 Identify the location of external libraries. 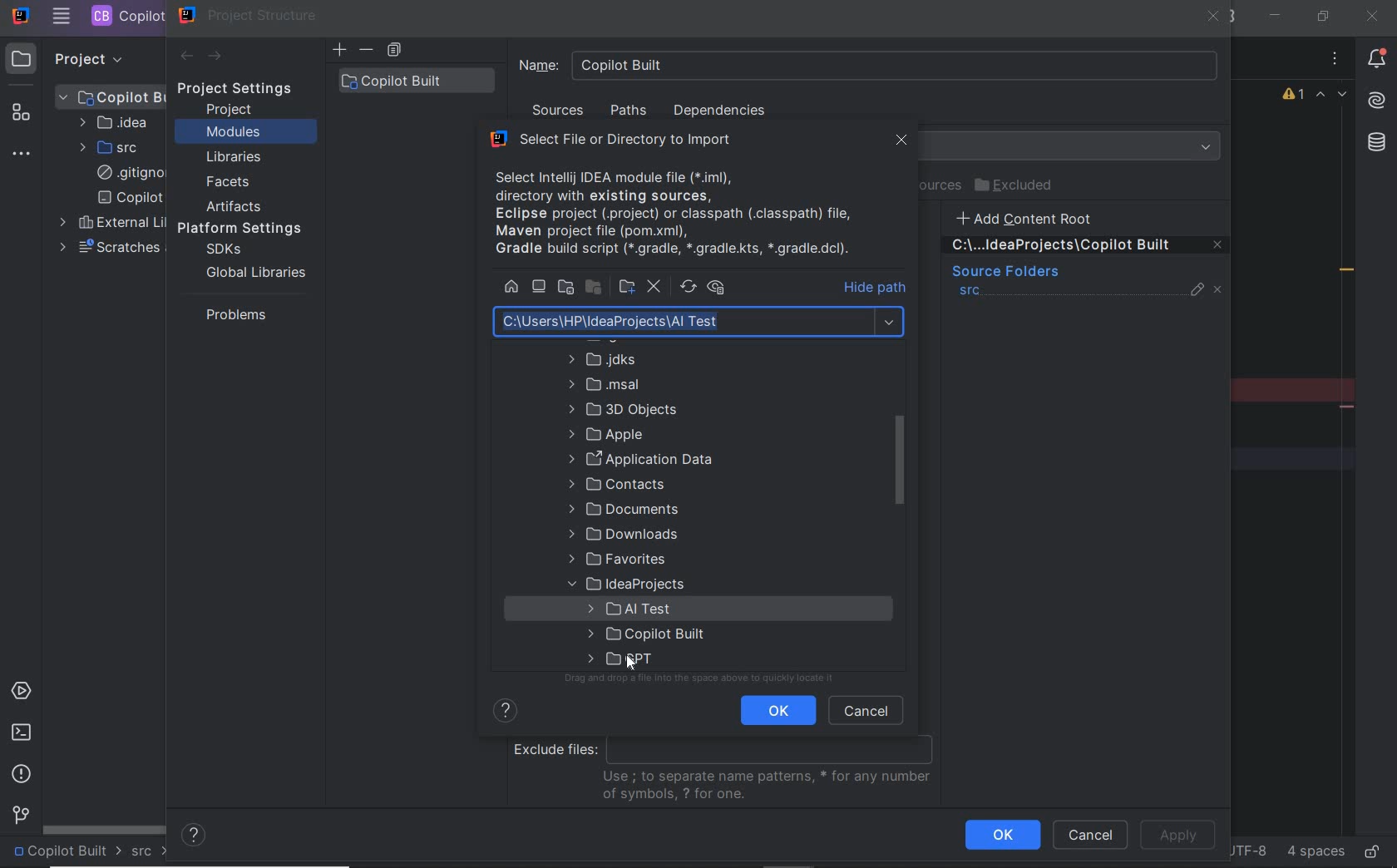
(109, 223).